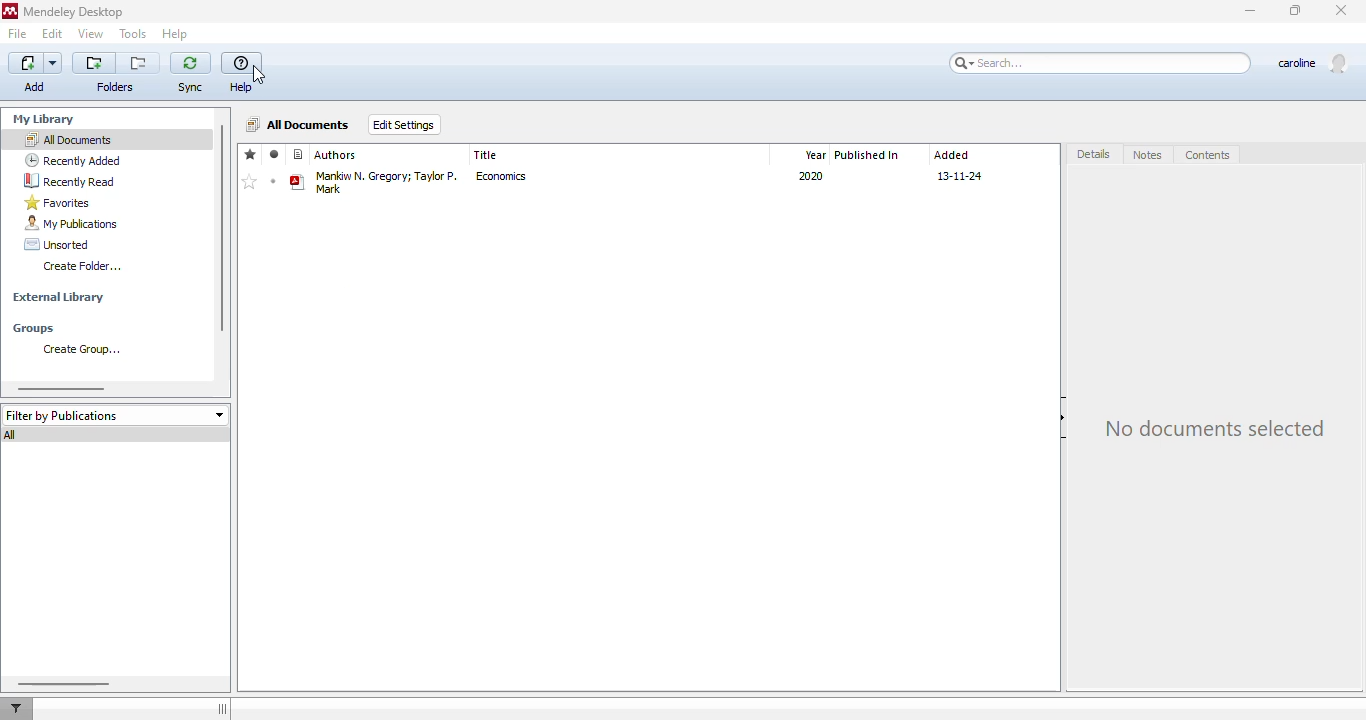 The image size is (1366, 720). What do you see at coordinates (404, 125) in the screenshot?
I see `edit settings` at bounding box center [404, 125].